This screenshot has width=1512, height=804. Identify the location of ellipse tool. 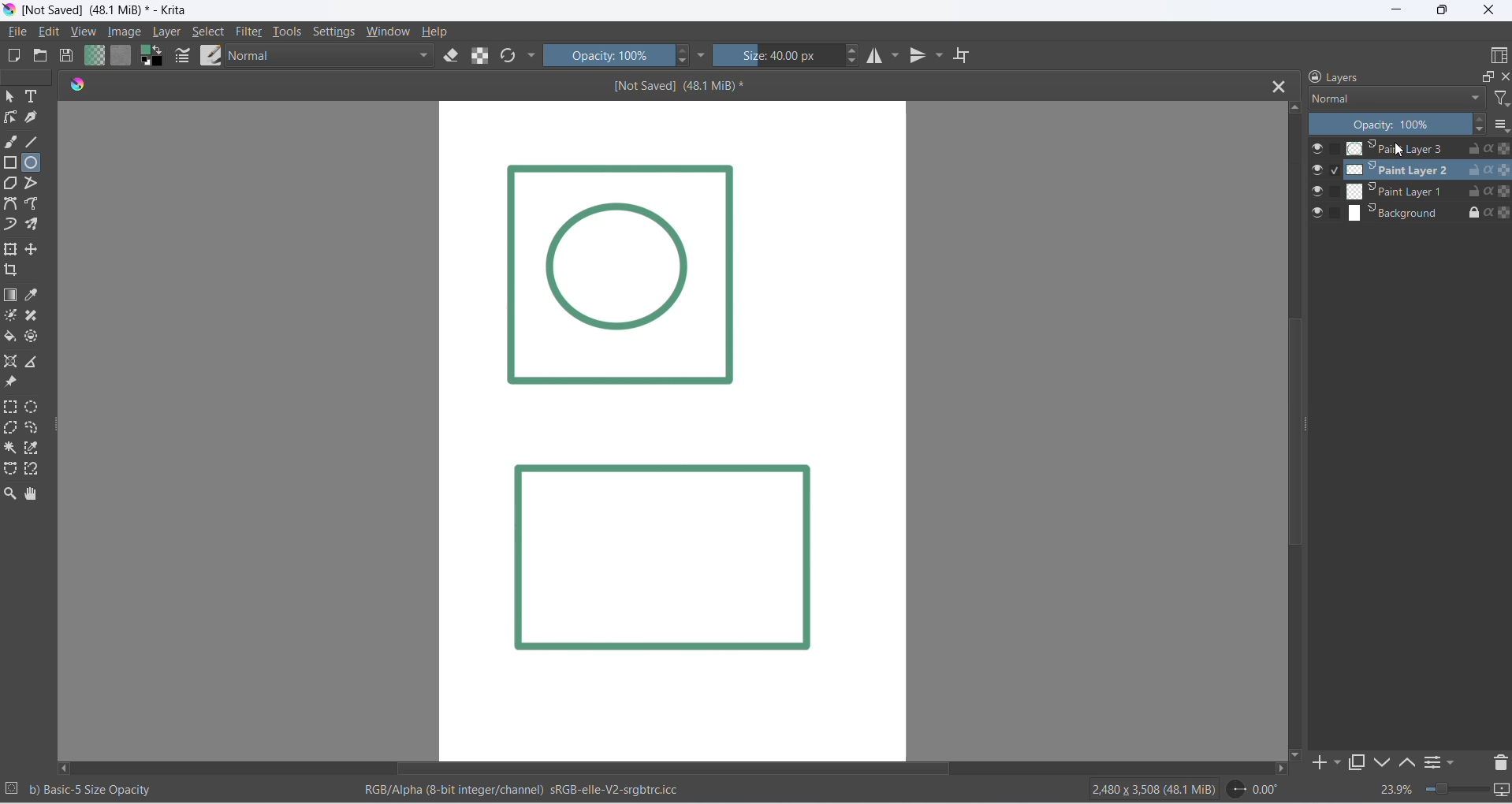
(37, 164).